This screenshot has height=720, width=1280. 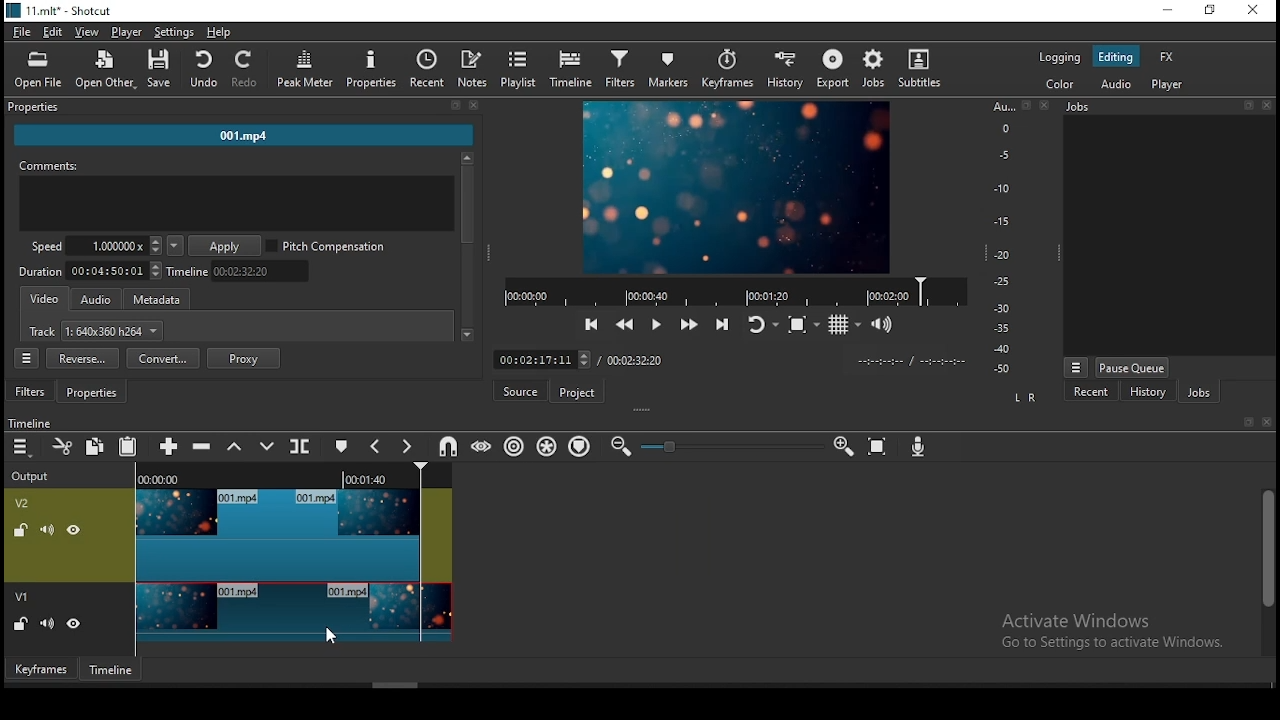 I want to click on pause queue, so click(x=1132, y=367).